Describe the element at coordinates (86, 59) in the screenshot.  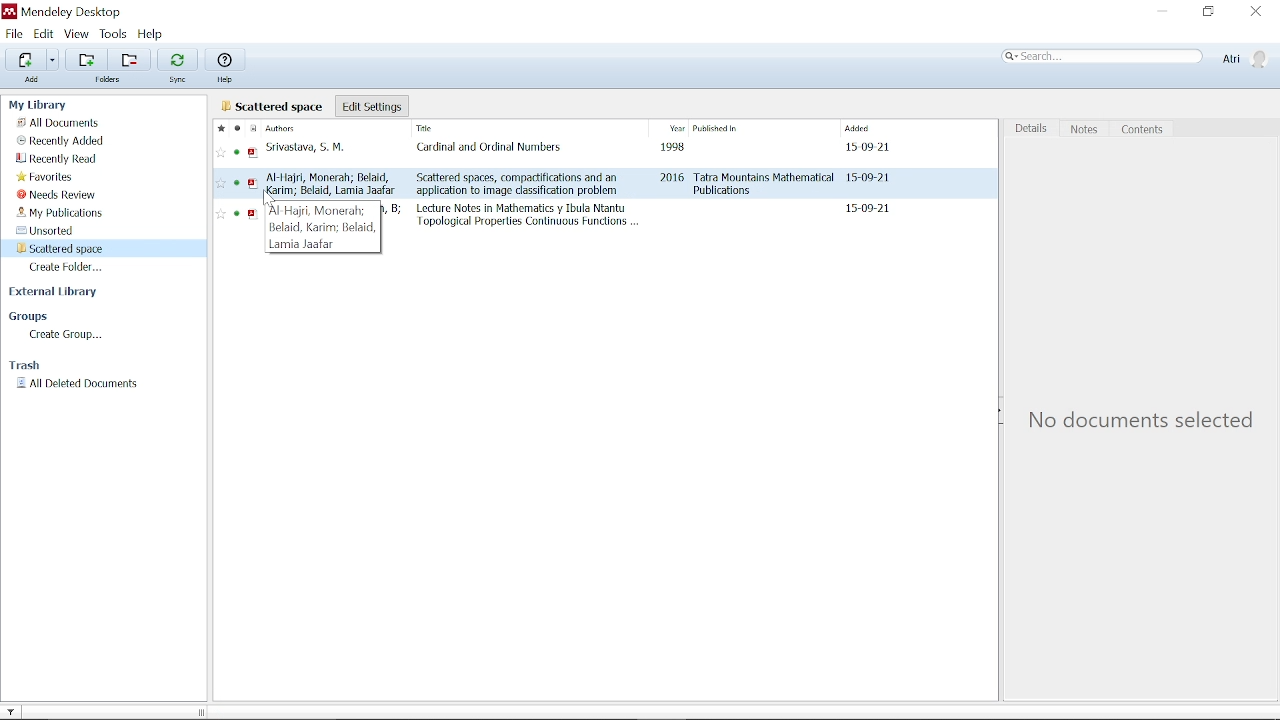
I see `Add folder` at that location.